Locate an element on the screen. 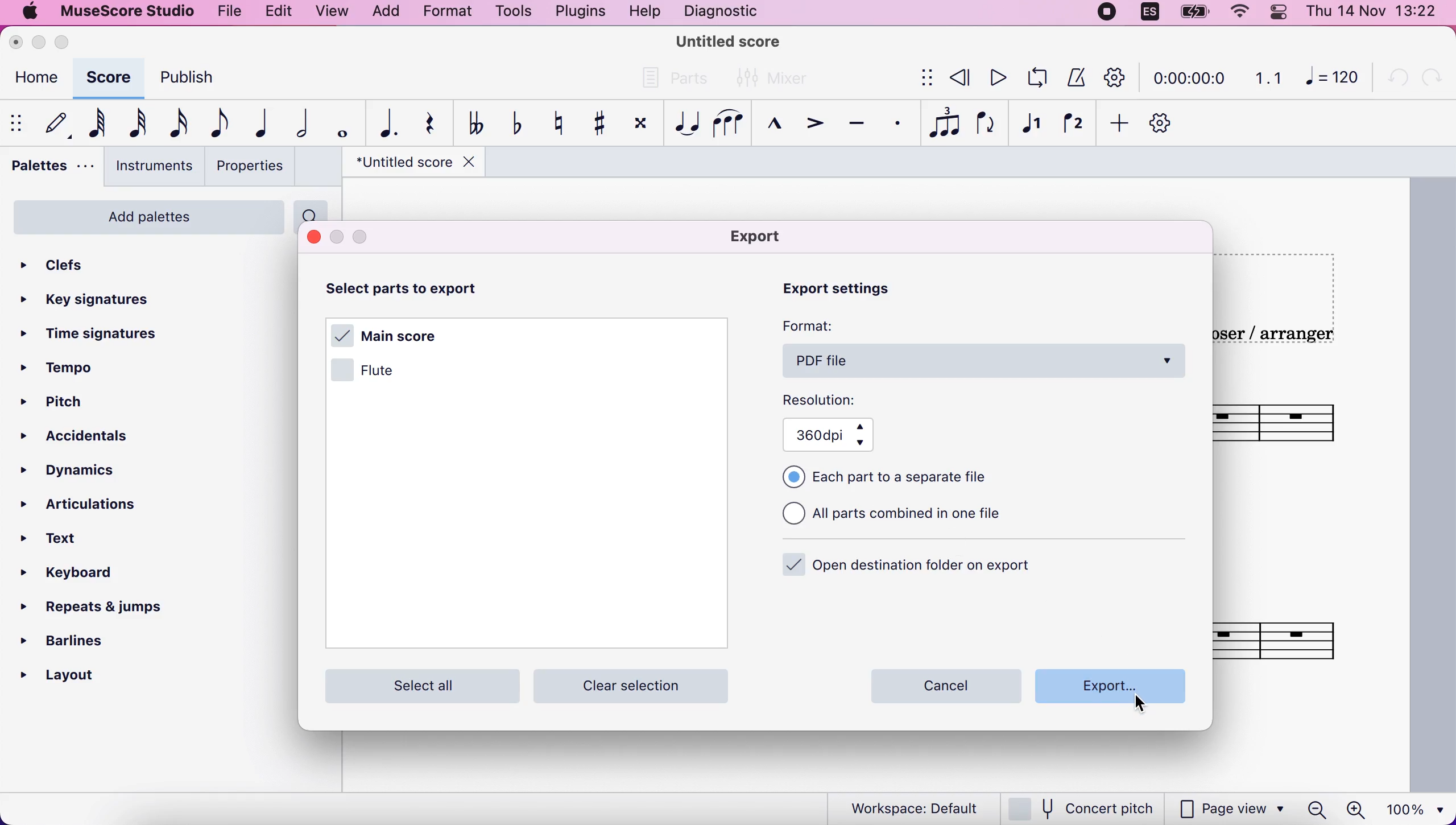 This screenshot has width=1456, height=825. accidentals is located at coordinates (84, 442).